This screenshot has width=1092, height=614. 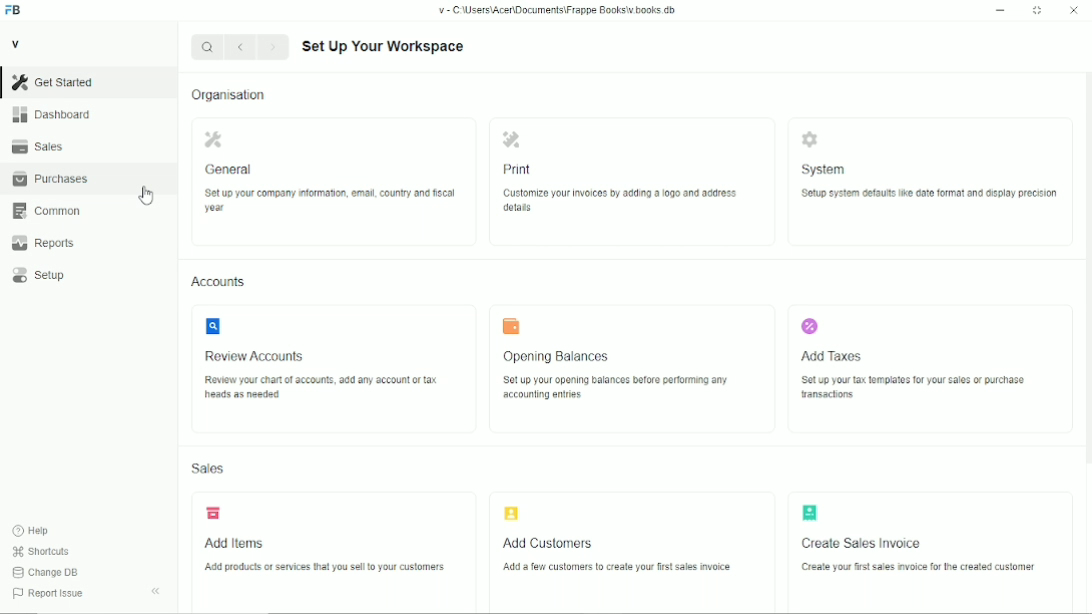 I want to click on System, so click(x=826, y=170).